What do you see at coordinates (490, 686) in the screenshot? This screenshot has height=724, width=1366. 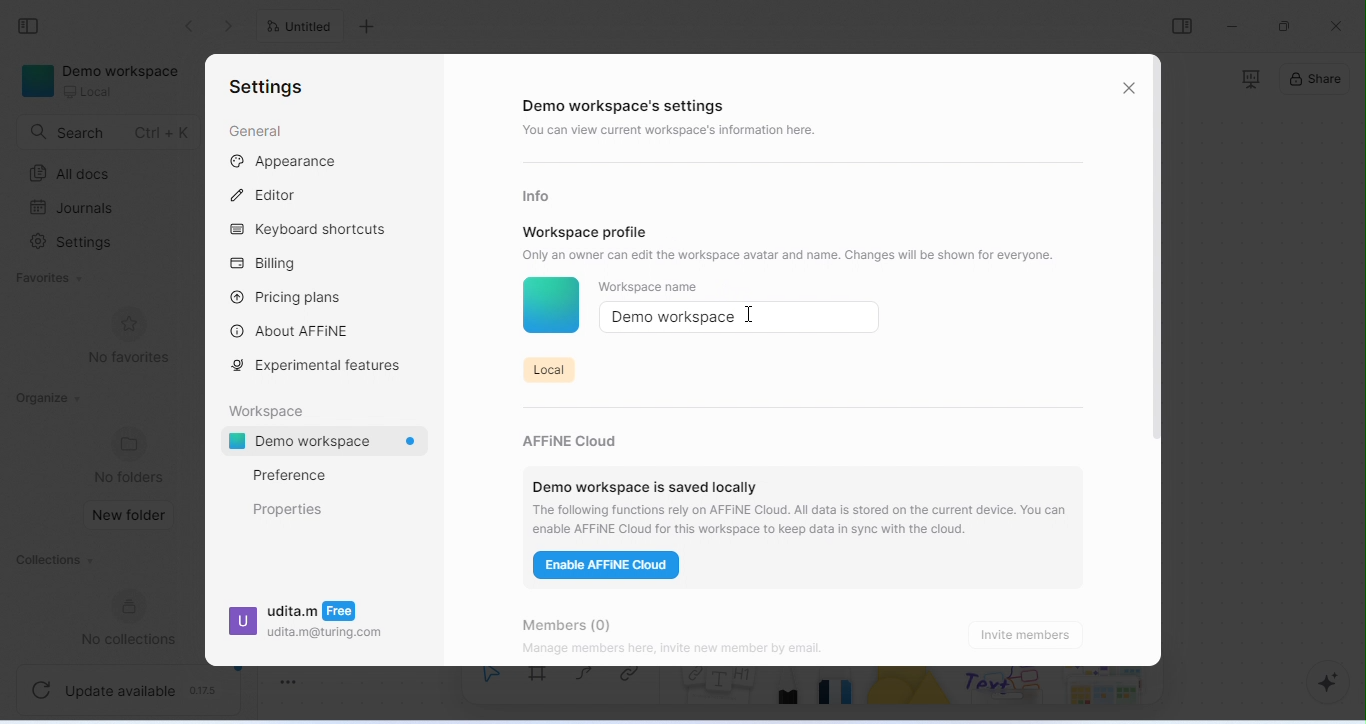 I see `select` at bounding box center [490, 686].